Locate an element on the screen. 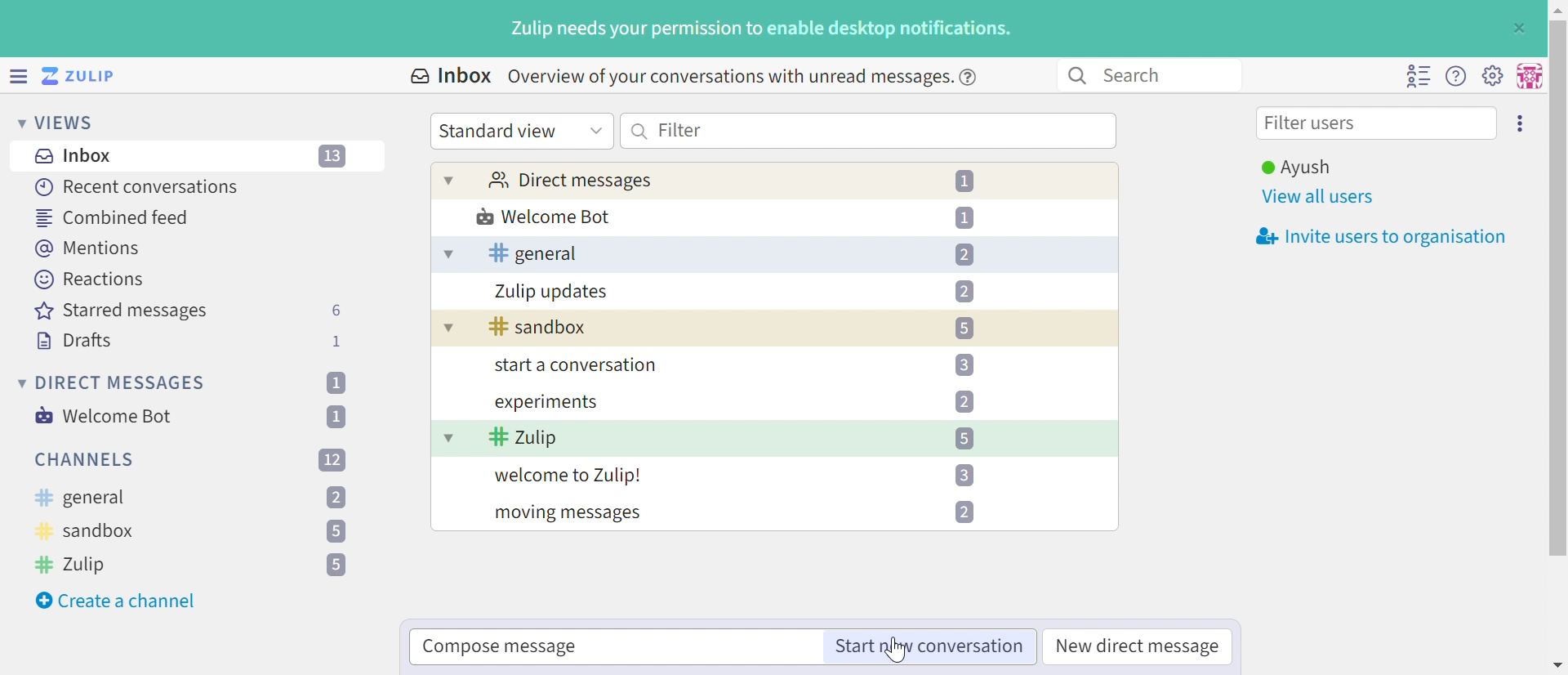 This screenshot has height=675, width=1568. Standard view is located at coordinates (501, 131).